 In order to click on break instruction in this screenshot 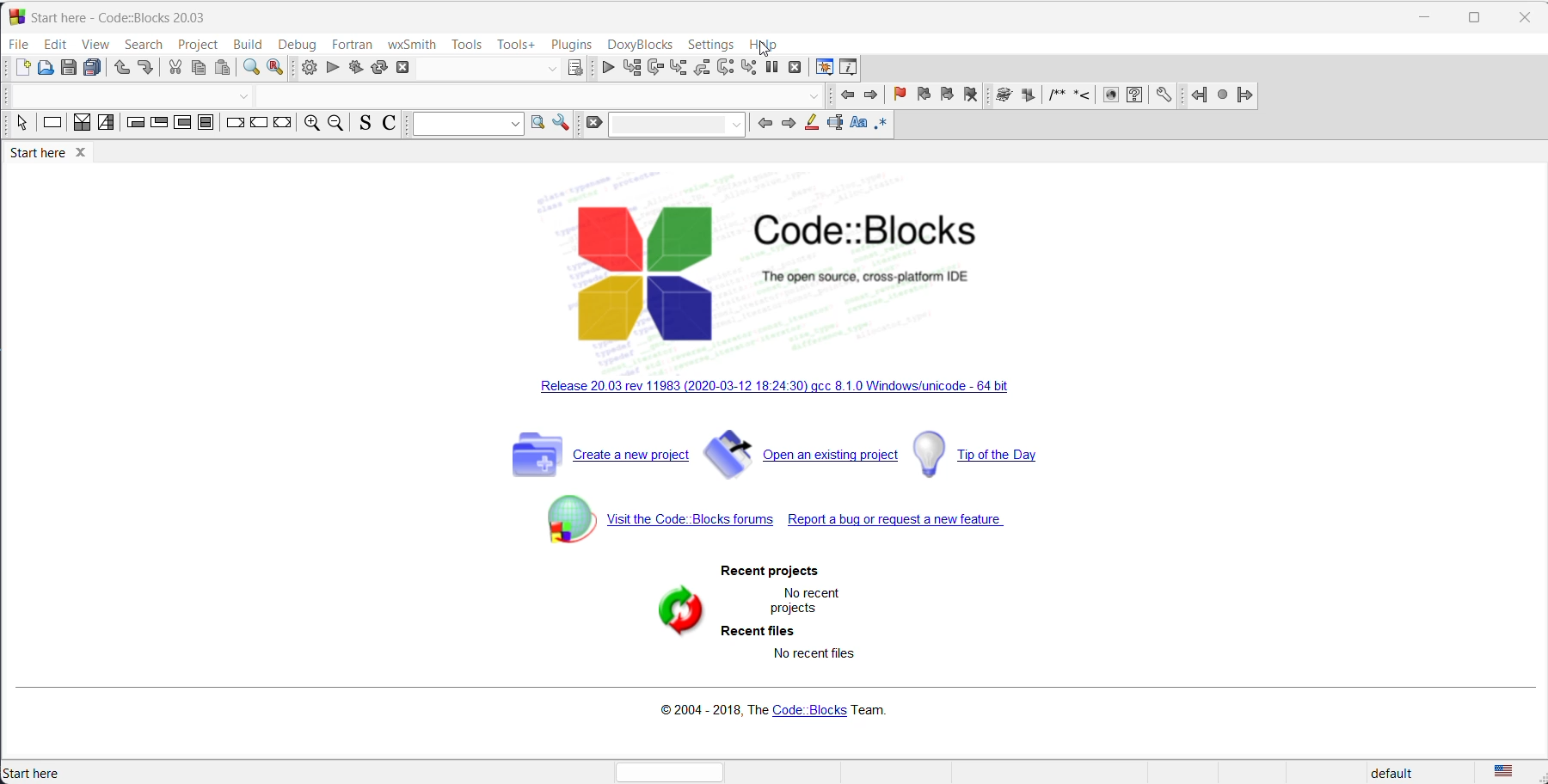, I will do `click(236, 126)`.